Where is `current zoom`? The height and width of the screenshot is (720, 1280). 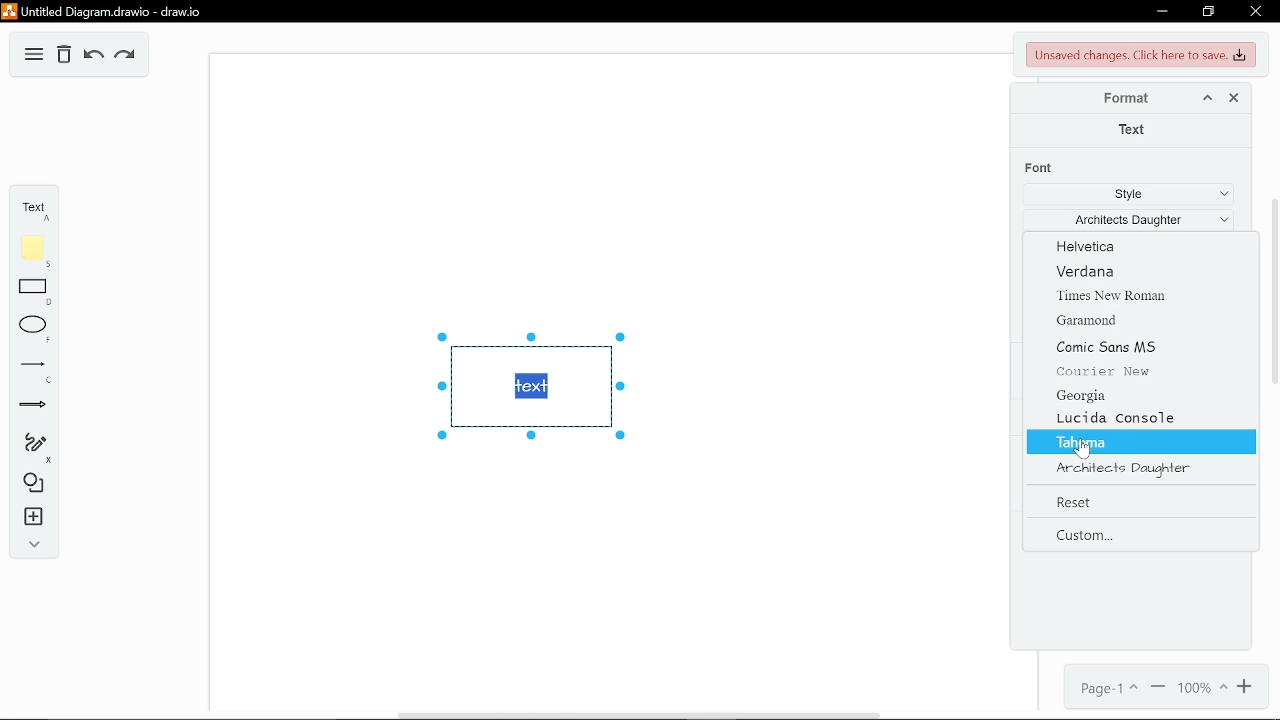 current zoom is located at coordinates (1202, 689).